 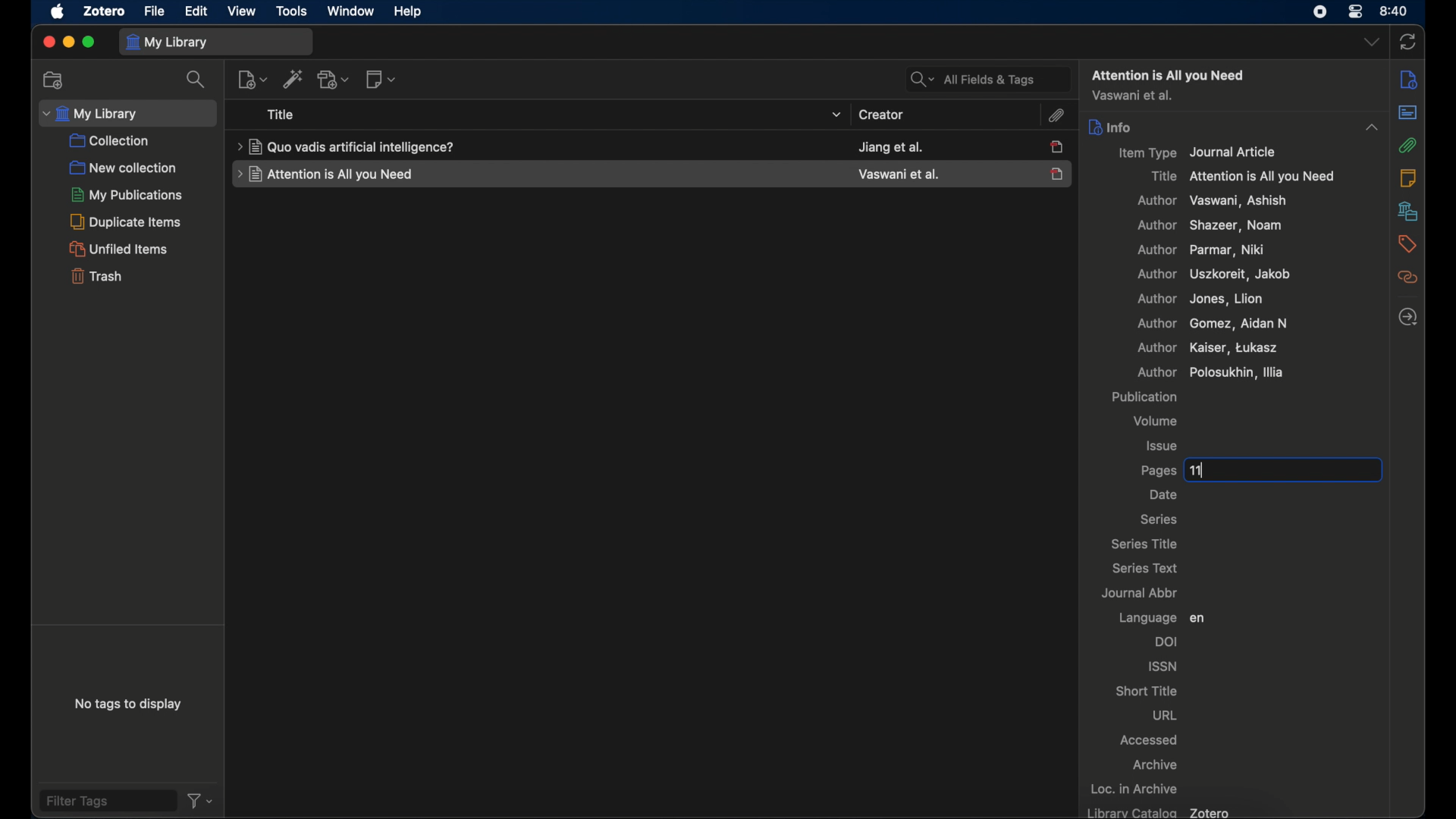 What do you see at coordinates (202, 801) in the screenshot?
I see `filter dropdown` at bounding box center [202, 801].